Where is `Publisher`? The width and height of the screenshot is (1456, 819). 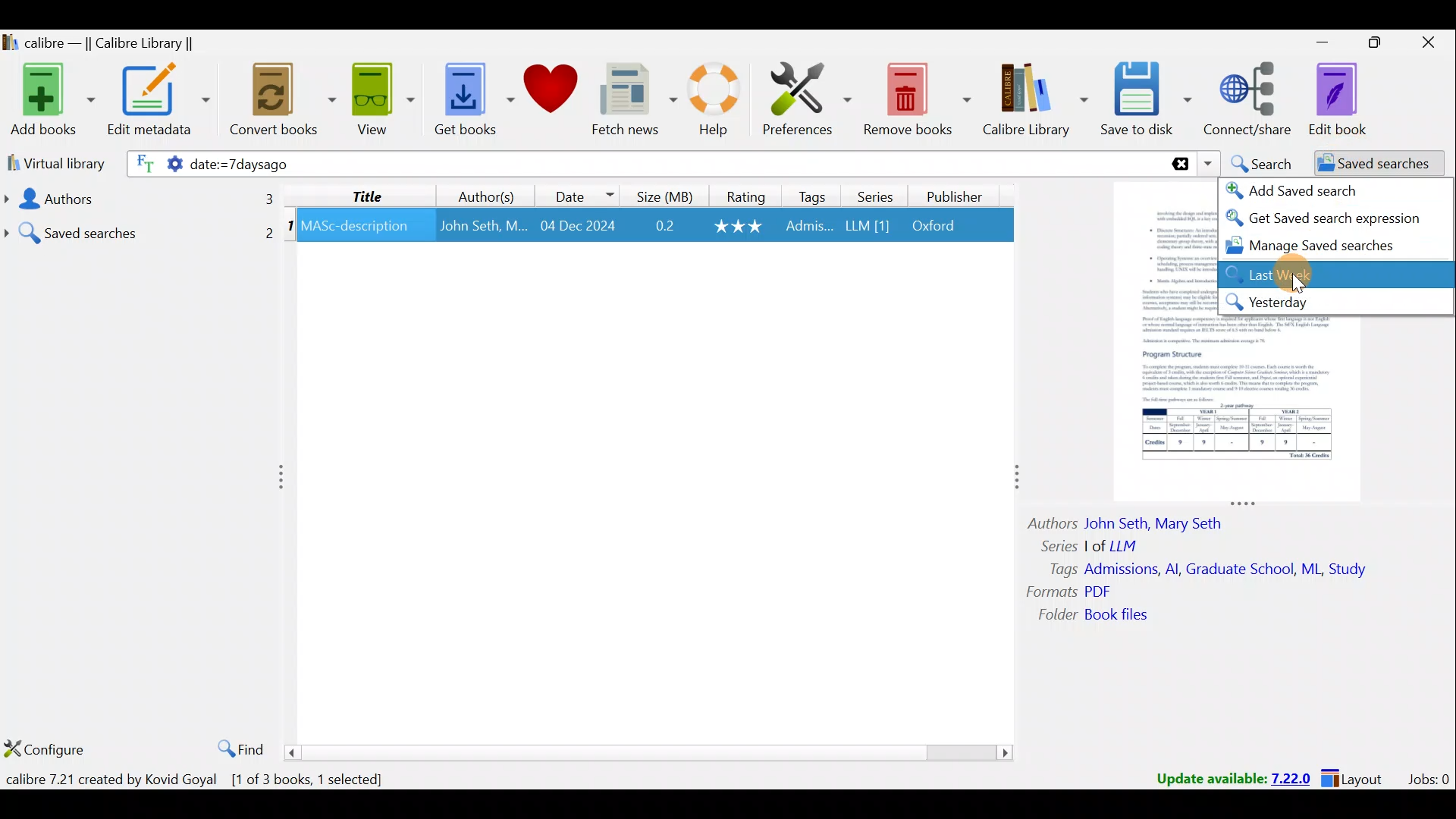 Publisher is located at coordinates (957, 199).